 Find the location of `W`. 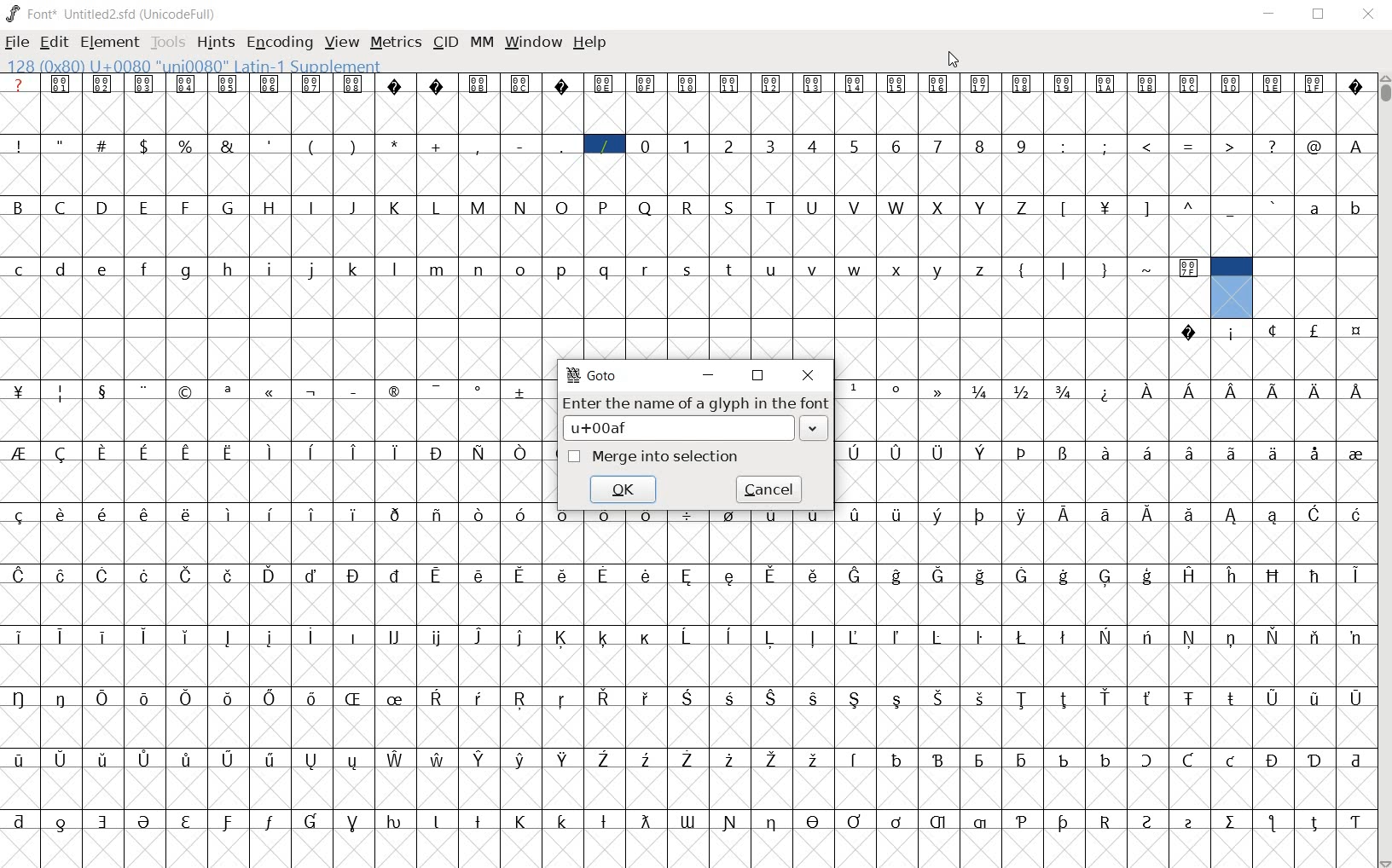

W is located at coordinates (900, 208).